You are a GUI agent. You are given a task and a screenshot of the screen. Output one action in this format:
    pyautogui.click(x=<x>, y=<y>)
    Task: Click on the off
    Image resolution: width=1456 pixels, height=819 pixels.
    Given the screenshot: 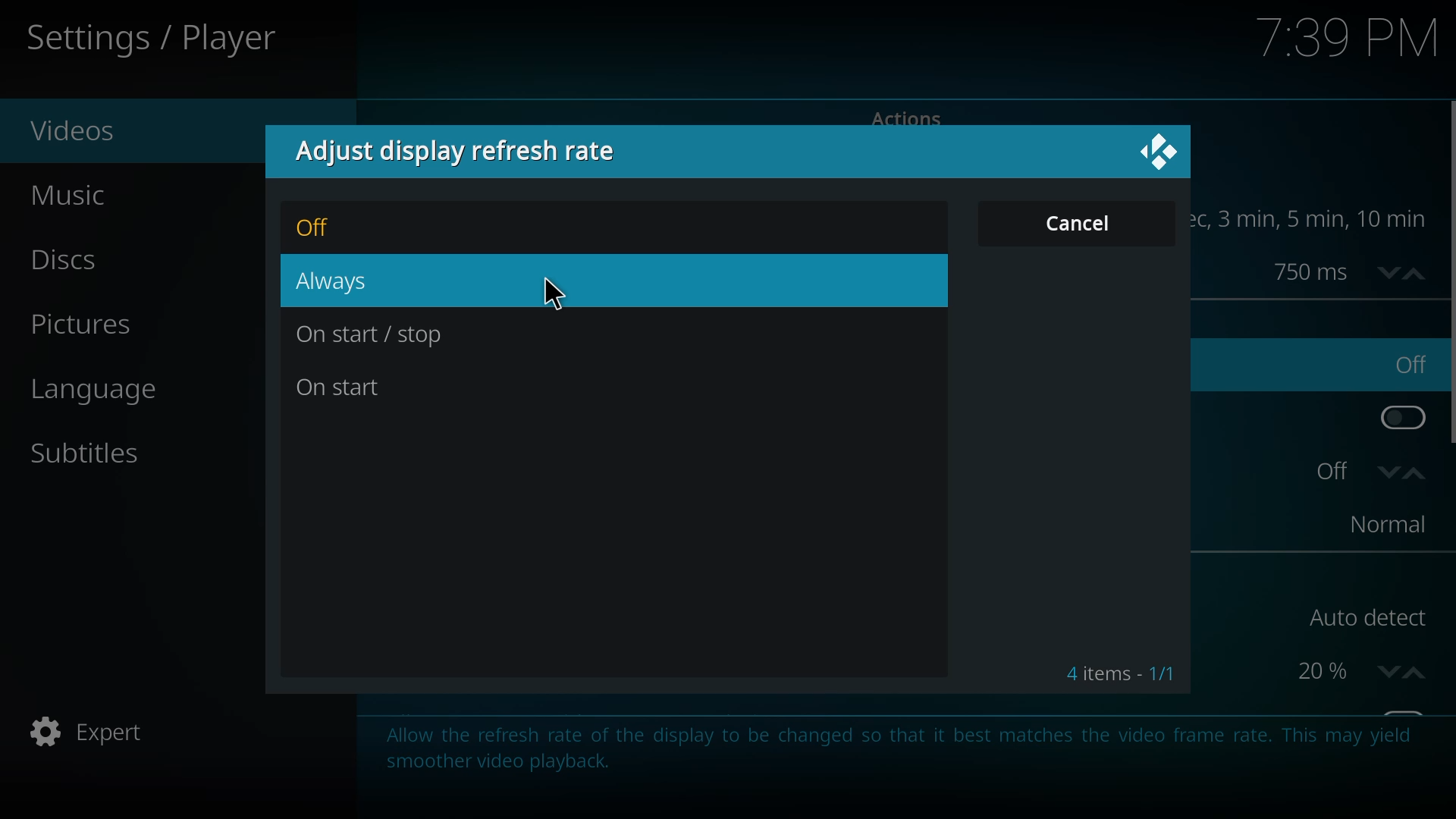 What is the action you would take?
    pyautogui.click(x=1366, y=471)
    